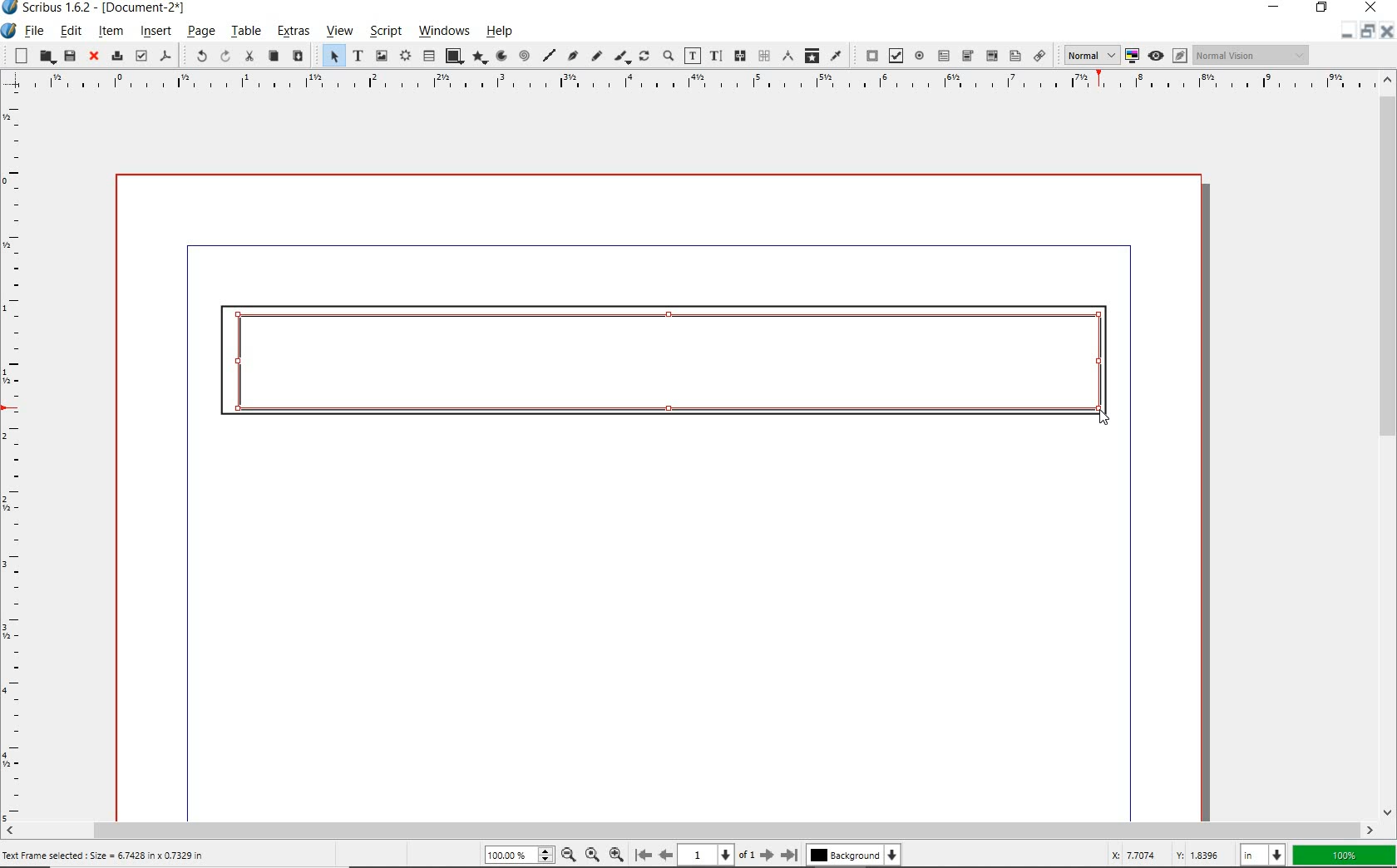  Describe the element at coordinates (812, 55) in the screenshot. I see `copy item properties` at that location.